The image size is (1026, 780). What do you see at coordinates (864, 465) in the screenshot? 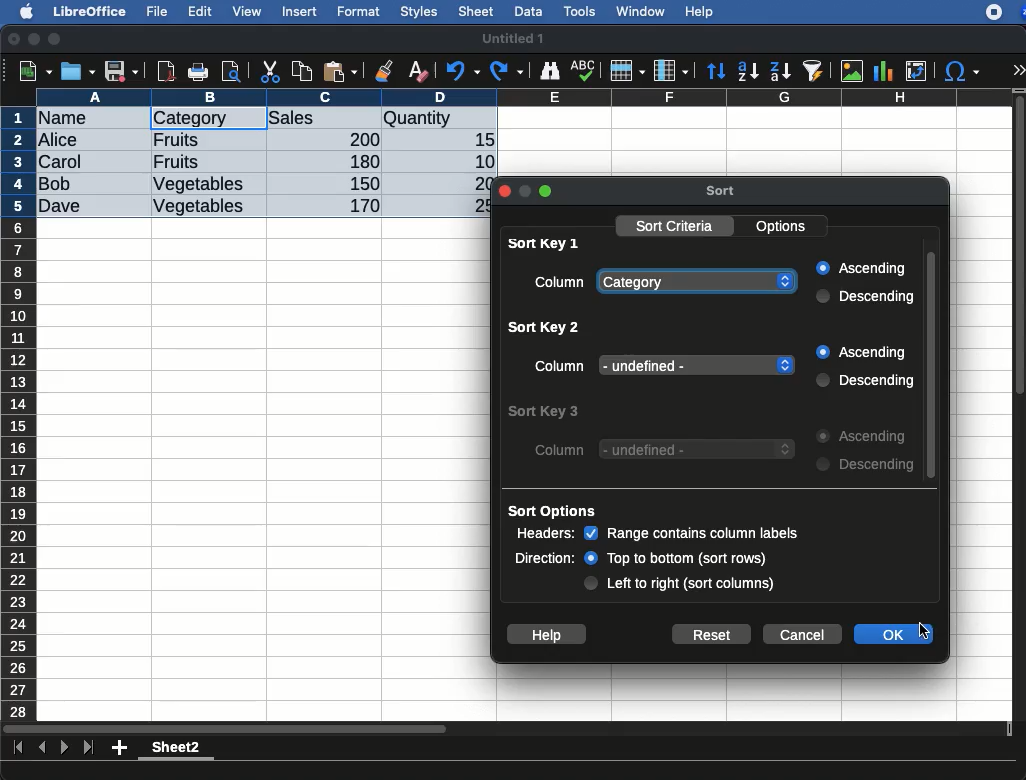
I see `descending` at bounding box center [864, 465].